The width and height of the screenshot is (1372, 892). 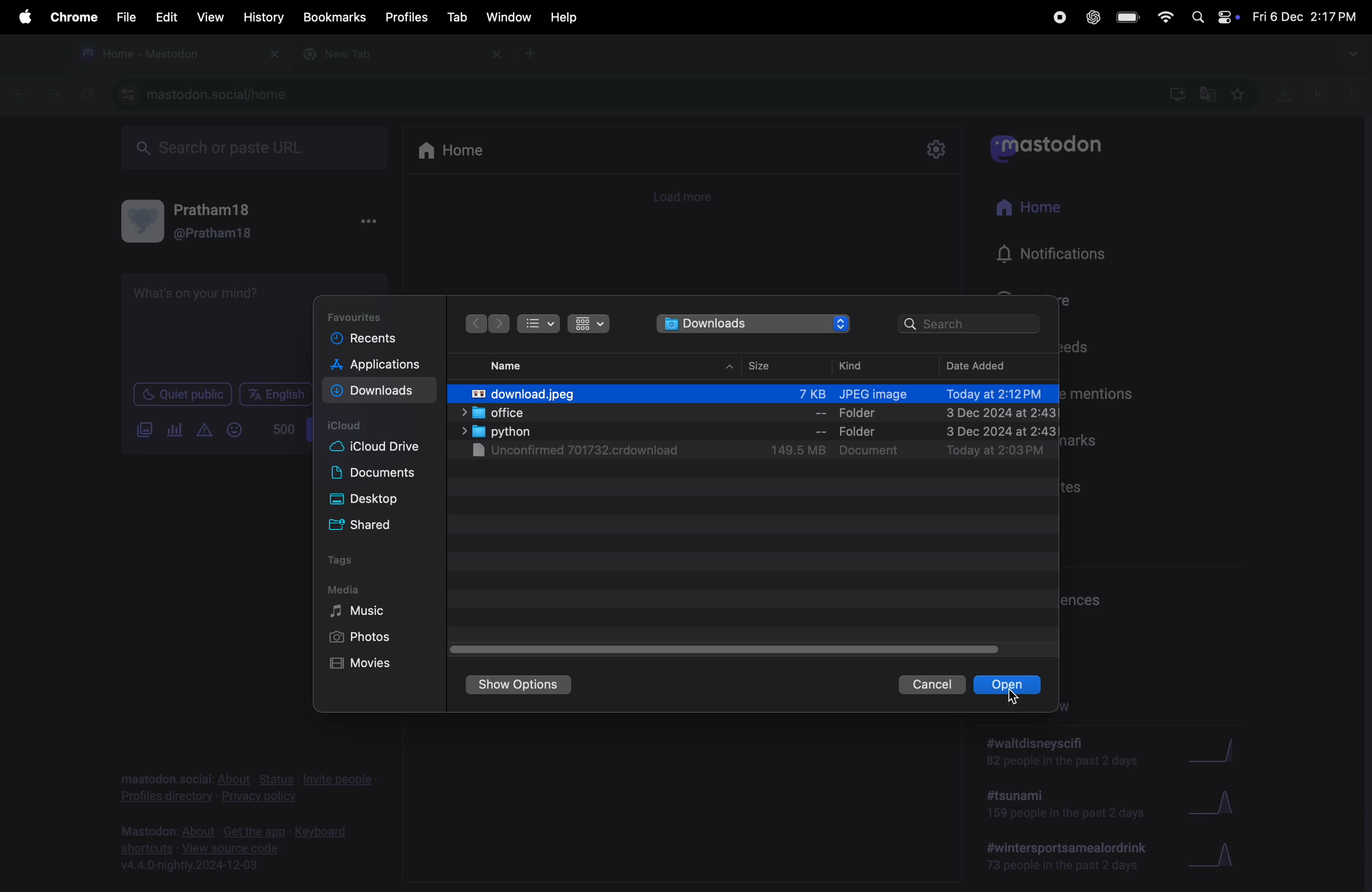 I want to click on wifi, so click(x=1164, y=16).